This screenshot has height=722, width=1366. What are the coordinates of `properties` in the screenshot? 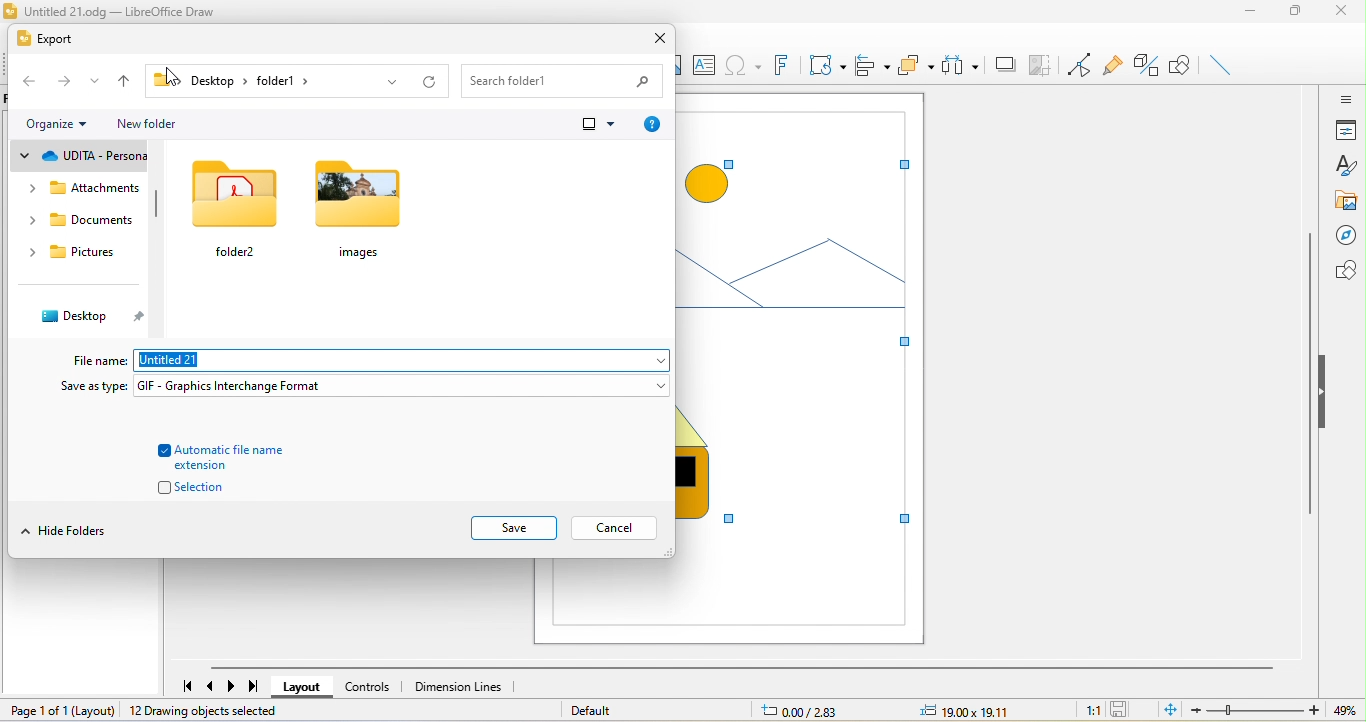 It's located at (1345, 130).